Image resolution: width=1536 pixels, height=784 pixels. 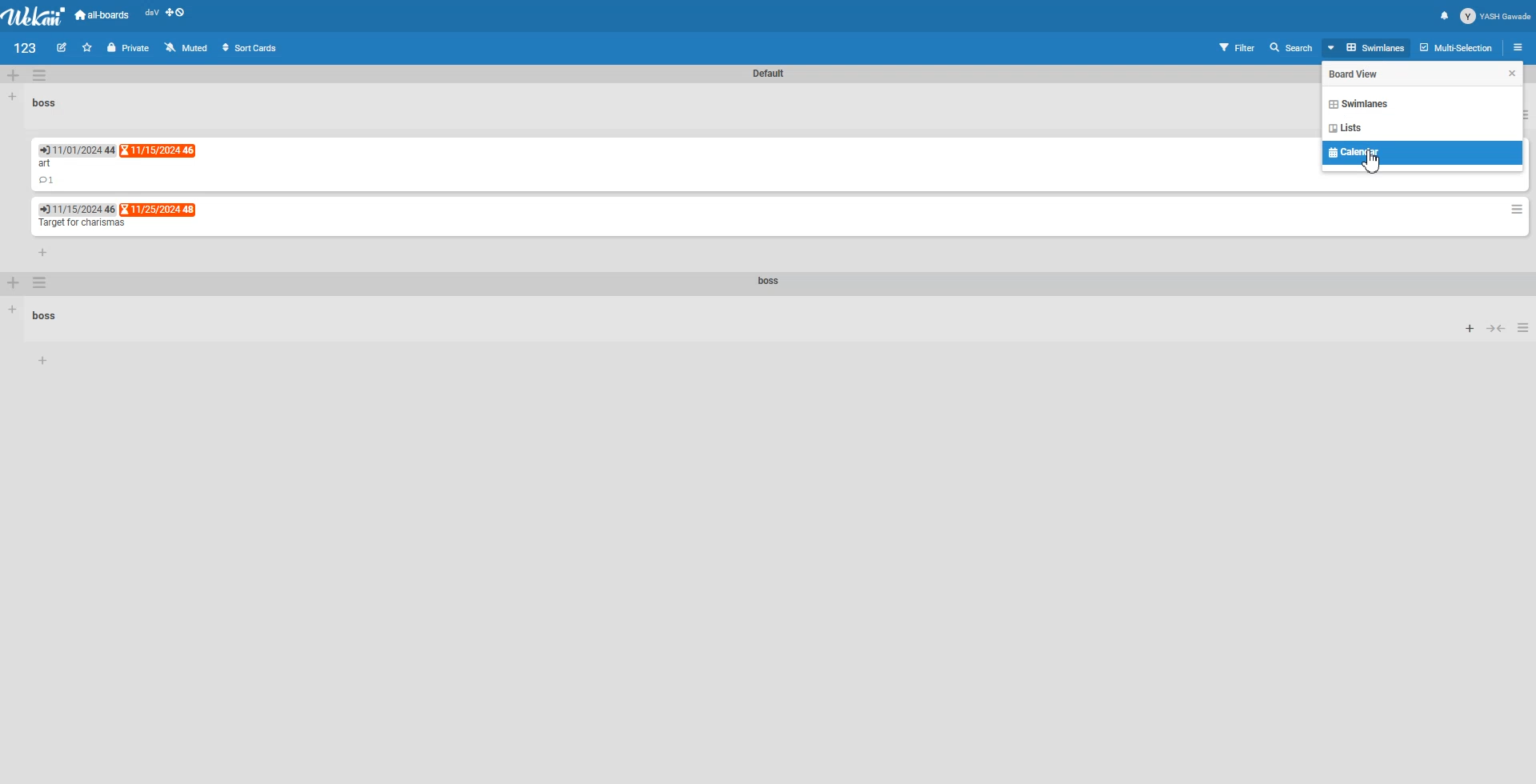 I want to click on Swimlane Action, so click(x=41, y=283).